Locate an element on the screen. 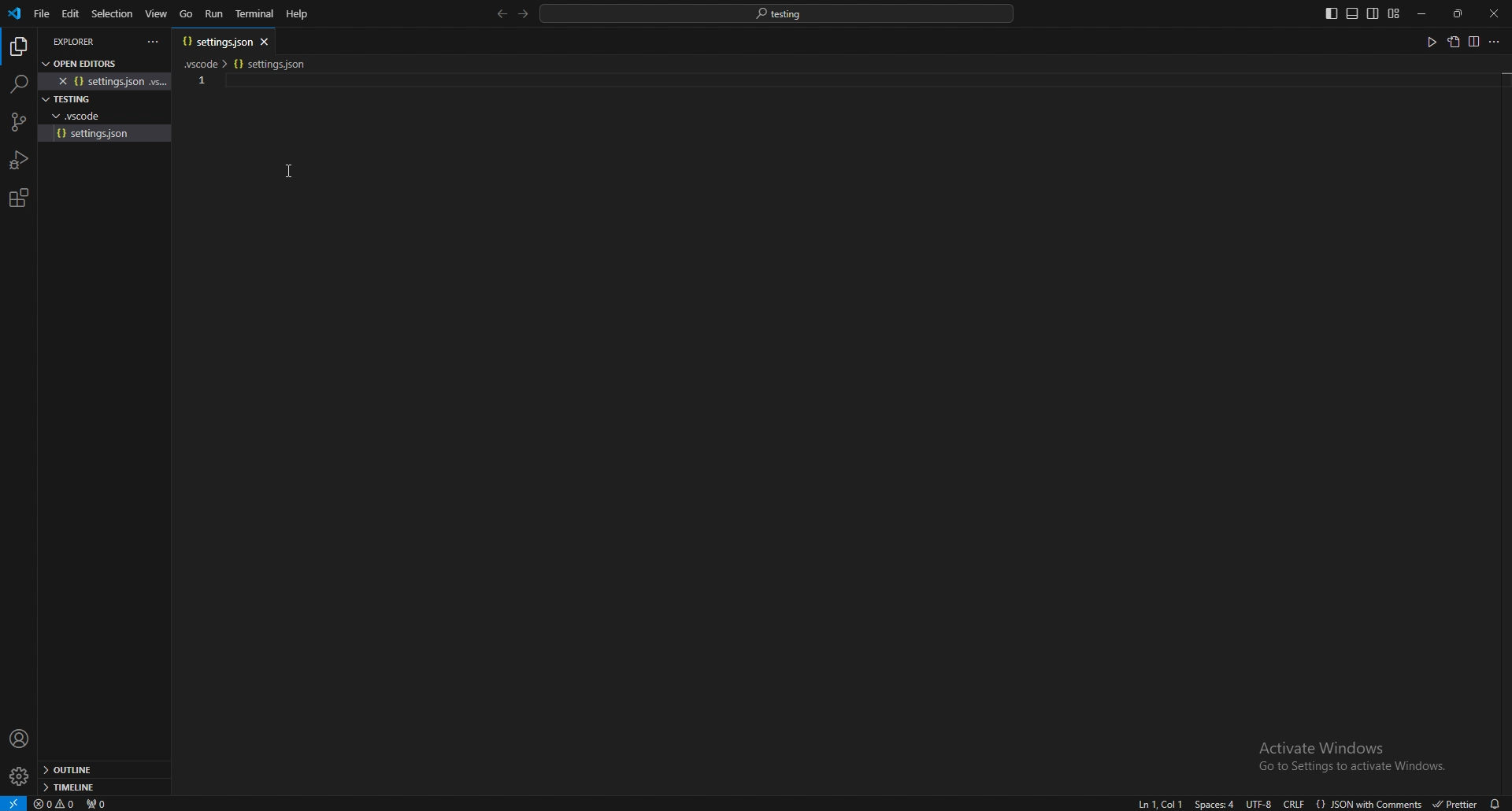 The height and width of the screenshot is (811, 1512). timeline is located at coordinates (99, 787).